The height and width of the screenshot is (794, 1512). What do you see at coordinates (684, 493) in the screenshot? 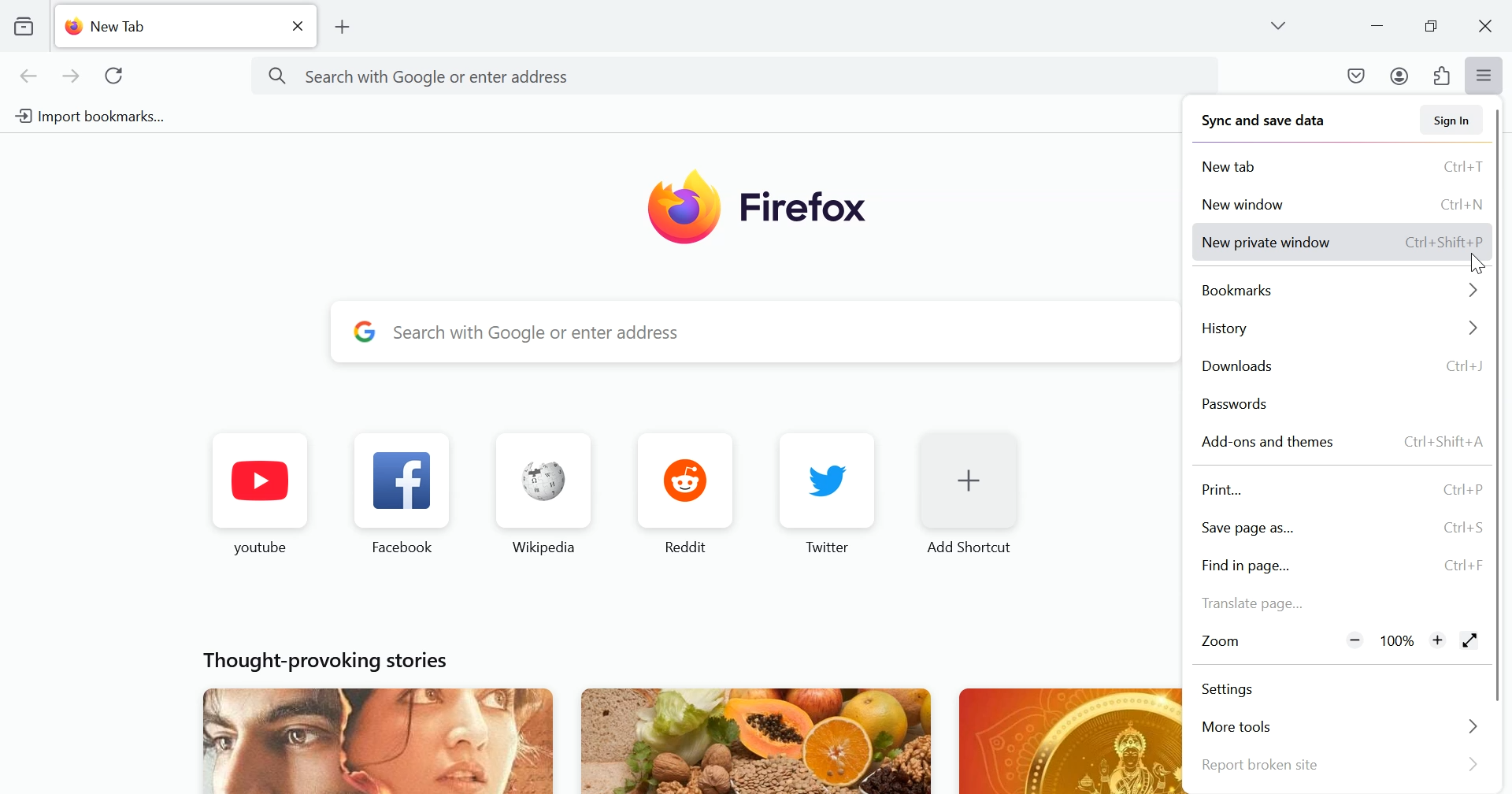
I see `Reddit` at bounding box center [684, 493].